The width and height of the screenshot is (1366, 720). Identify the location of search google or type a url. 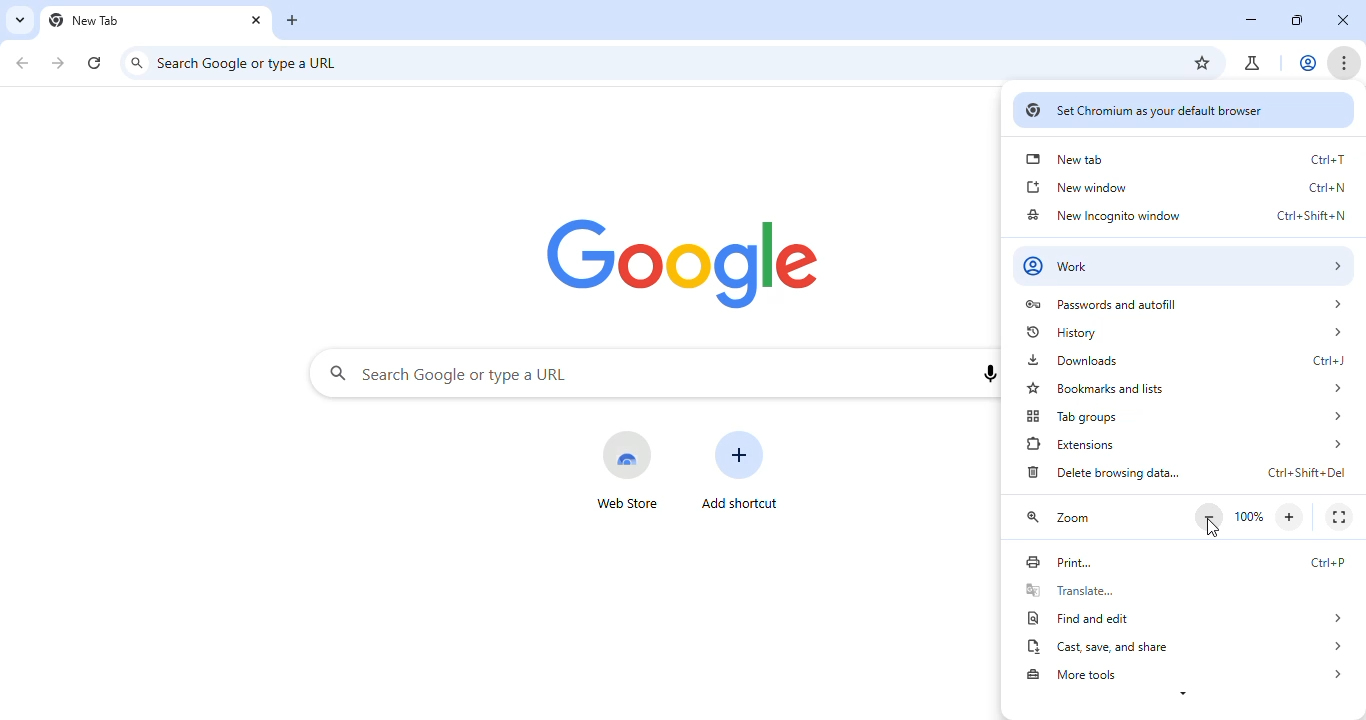
(481, 376).